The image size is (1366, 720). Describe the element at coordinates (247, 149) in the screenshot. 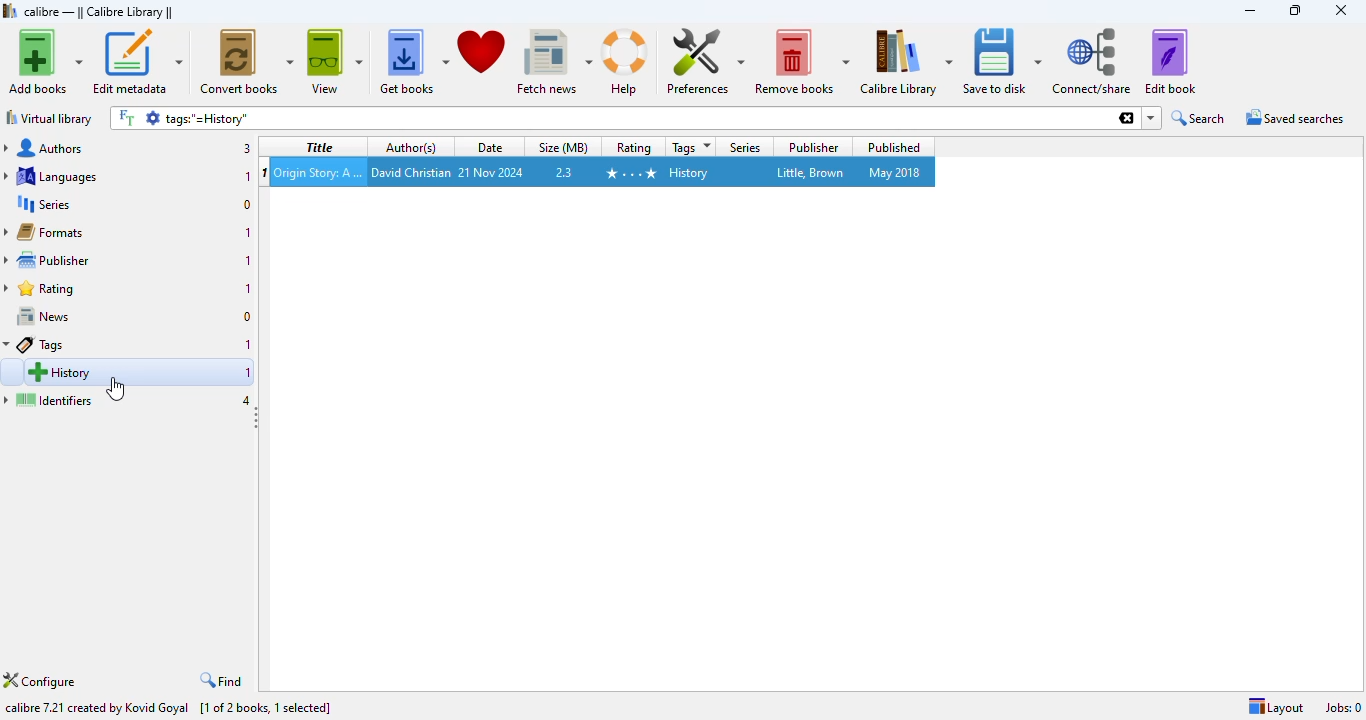

I see `3` at that location.